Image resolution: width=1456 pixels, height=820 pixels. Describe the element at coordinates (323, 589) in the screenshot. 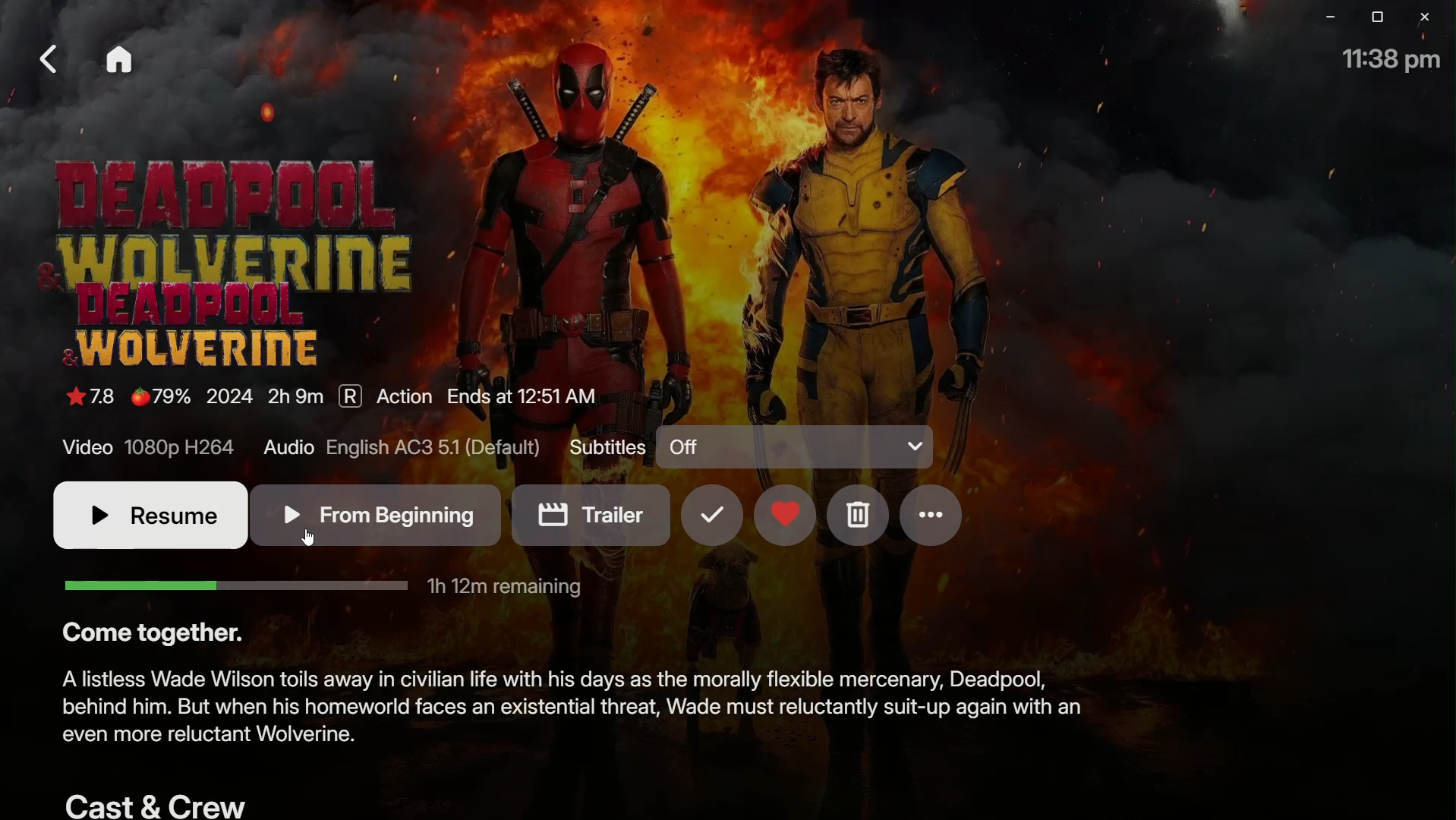

I see `Time remaining` at that location.